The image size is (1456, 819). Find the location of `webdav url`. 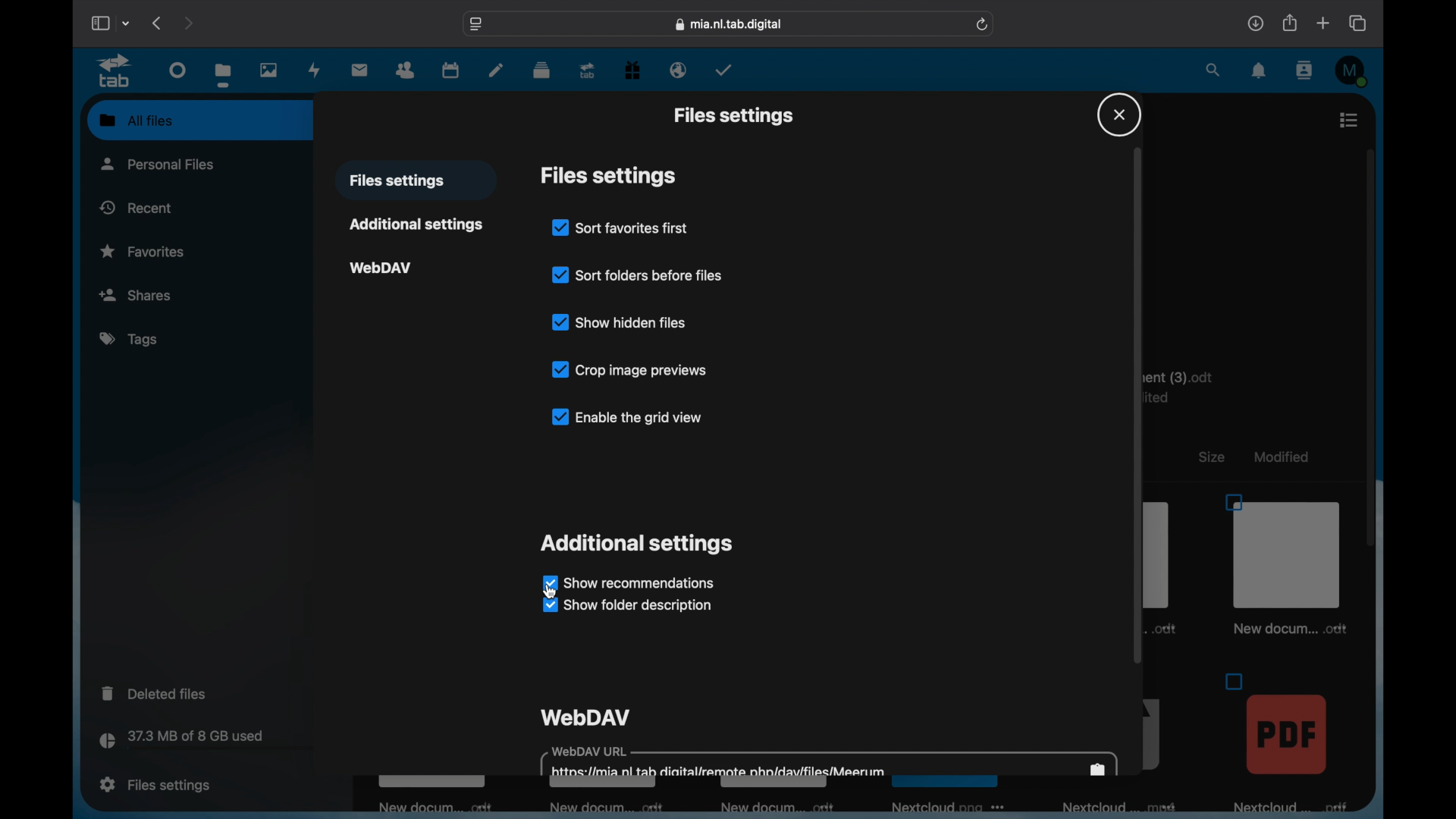

webdav url is located at coordinates (831, 761).